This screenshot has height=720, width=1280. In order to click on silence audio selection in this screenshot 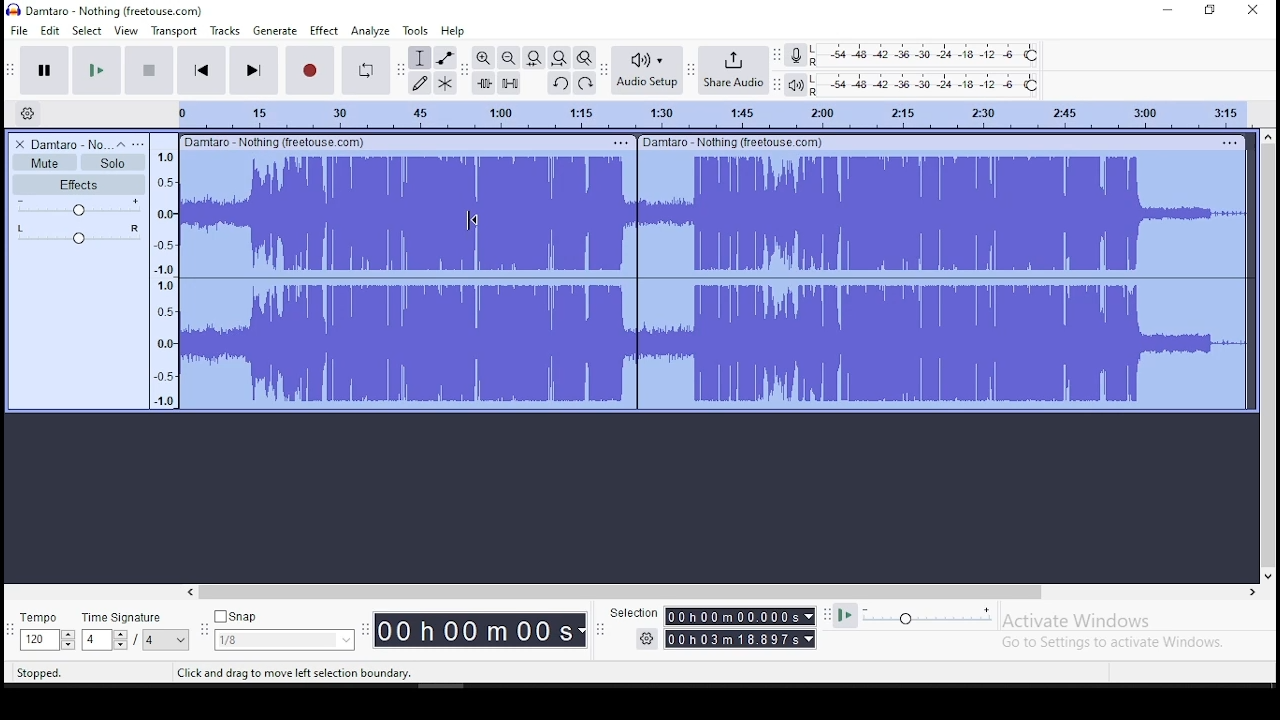, I will do `click(509, 83)`.